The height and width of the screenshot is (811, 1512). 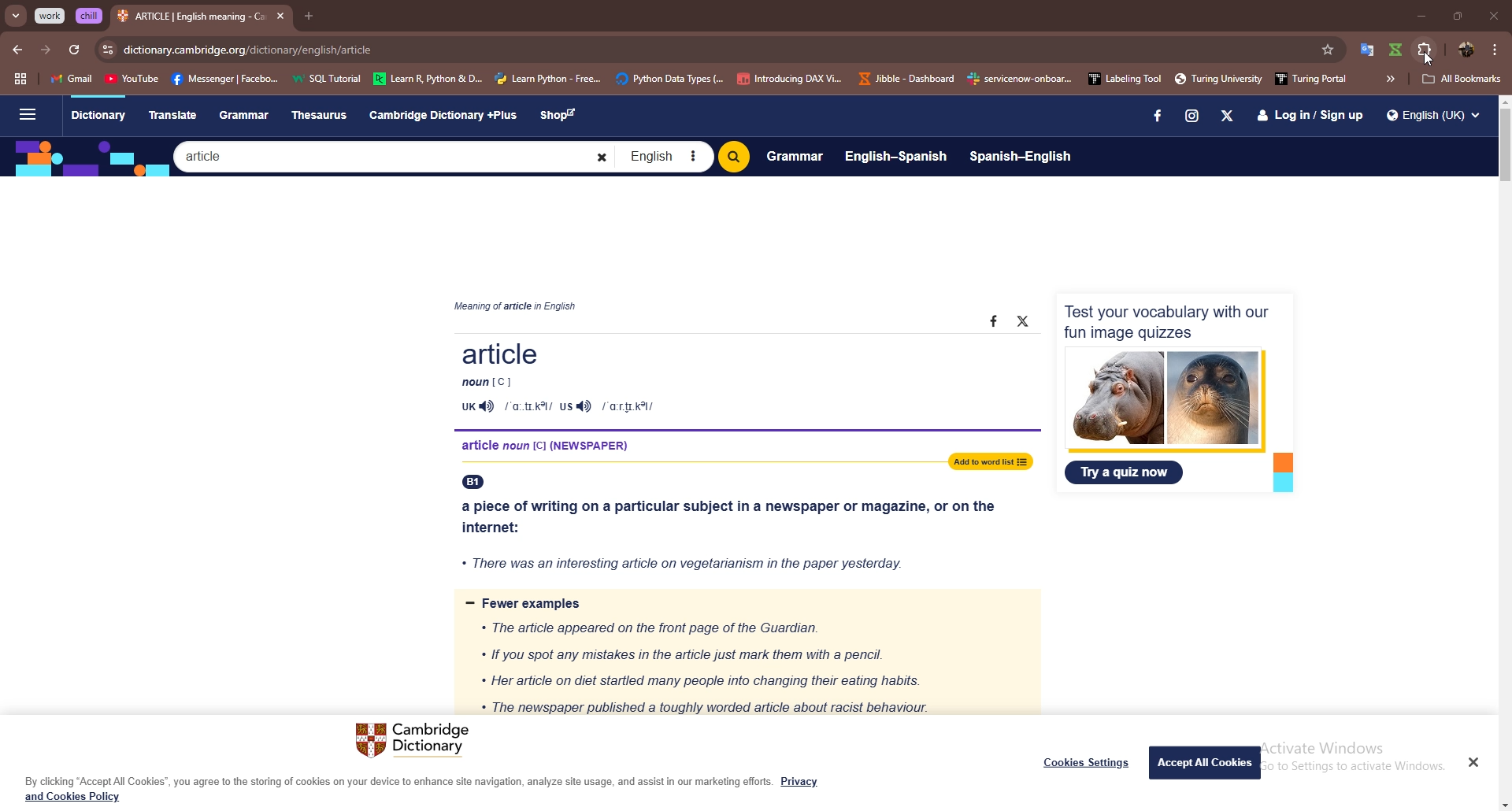 What do you see at coordinates (562, 116) in the screenshot?
I see `Shop` at bounding box center [562, 116].